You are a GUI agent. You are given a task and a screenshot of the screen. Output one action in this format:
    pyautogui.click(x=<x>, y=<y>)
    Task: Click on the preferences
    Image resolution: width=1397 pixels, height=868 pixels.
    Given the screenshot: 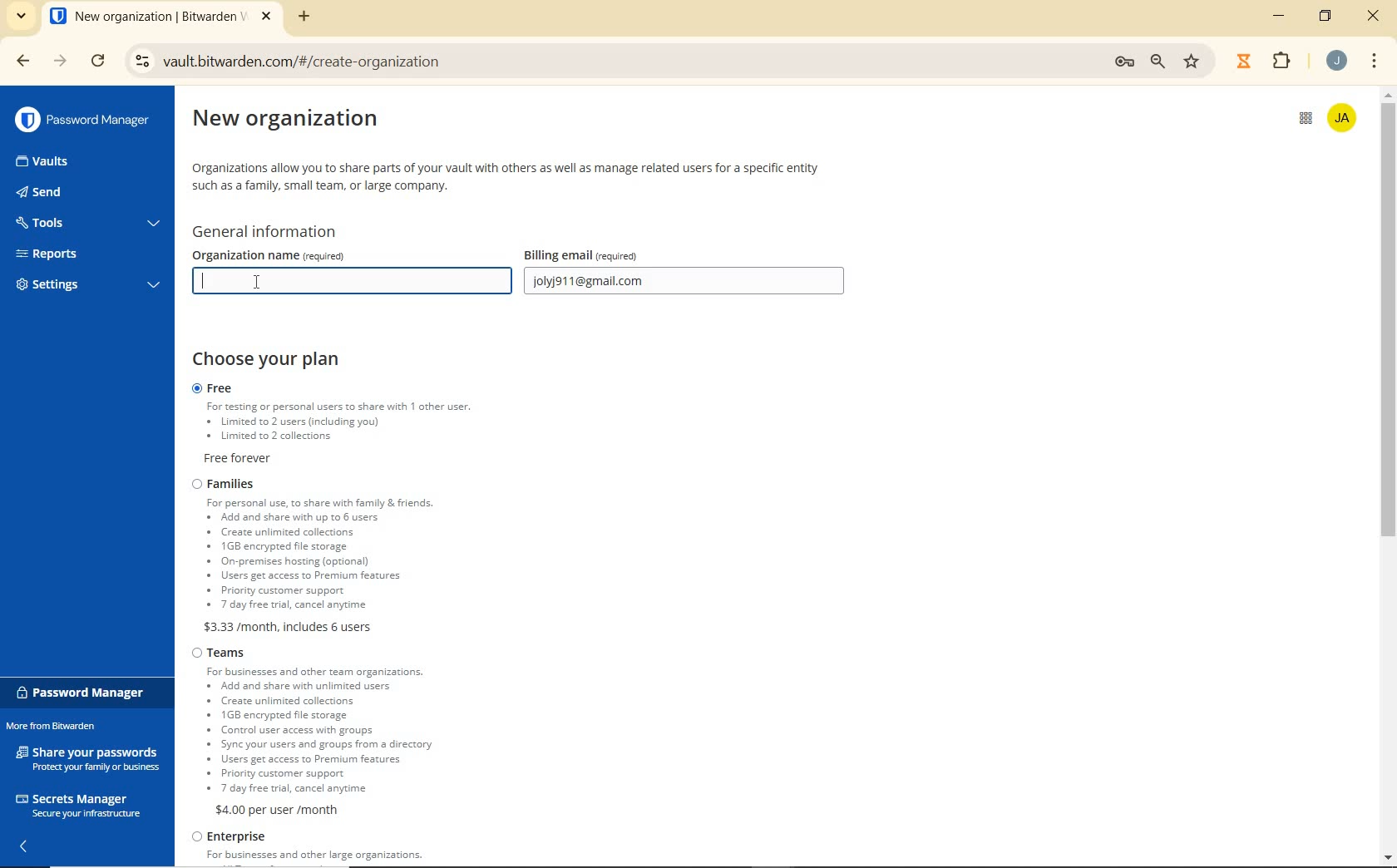 What is the action you would take?
    pyautogui.click(x=1123, y=62)
    